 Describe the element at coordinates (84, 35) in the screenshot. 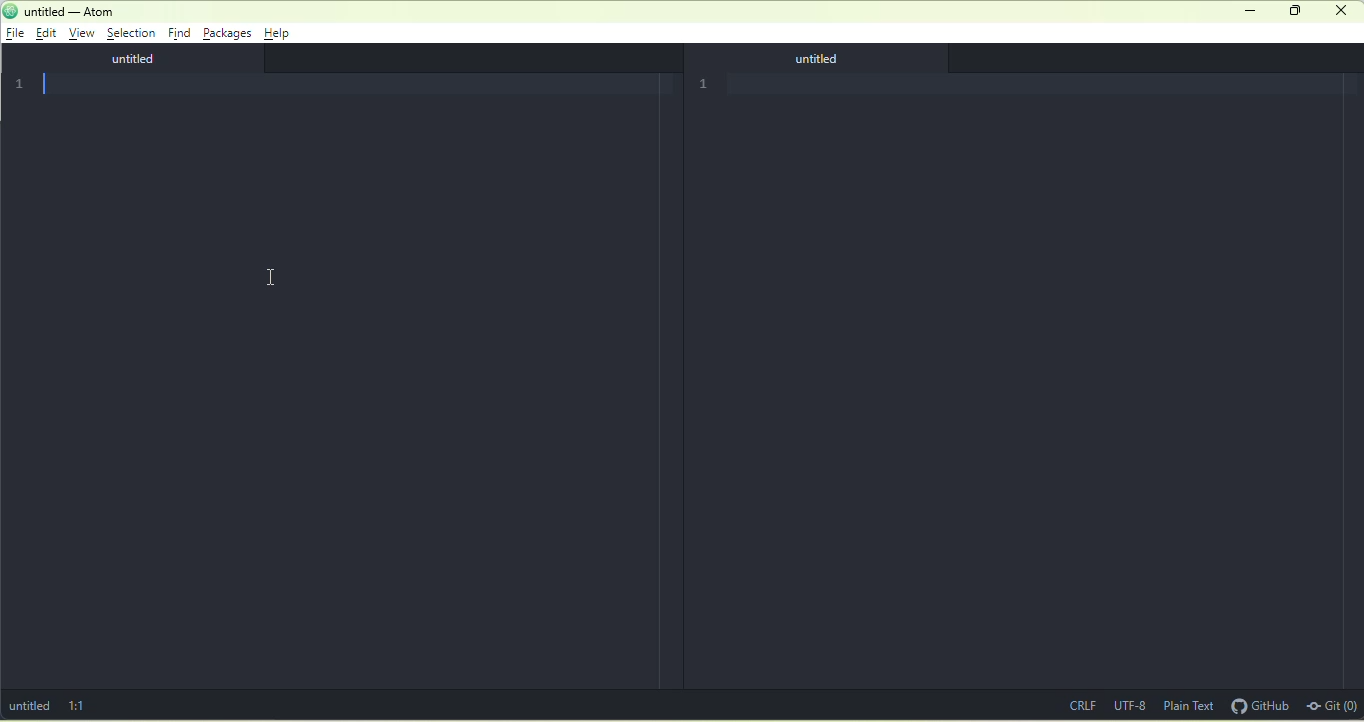

I see `view` at that location.